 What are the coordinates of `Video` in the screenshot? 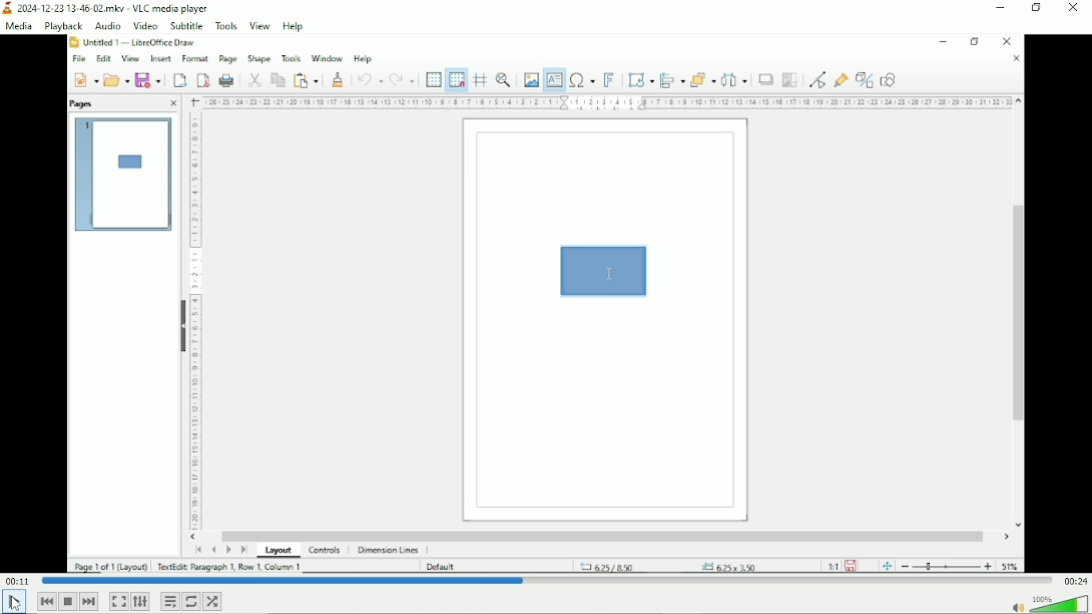 It's located at (547, 304).